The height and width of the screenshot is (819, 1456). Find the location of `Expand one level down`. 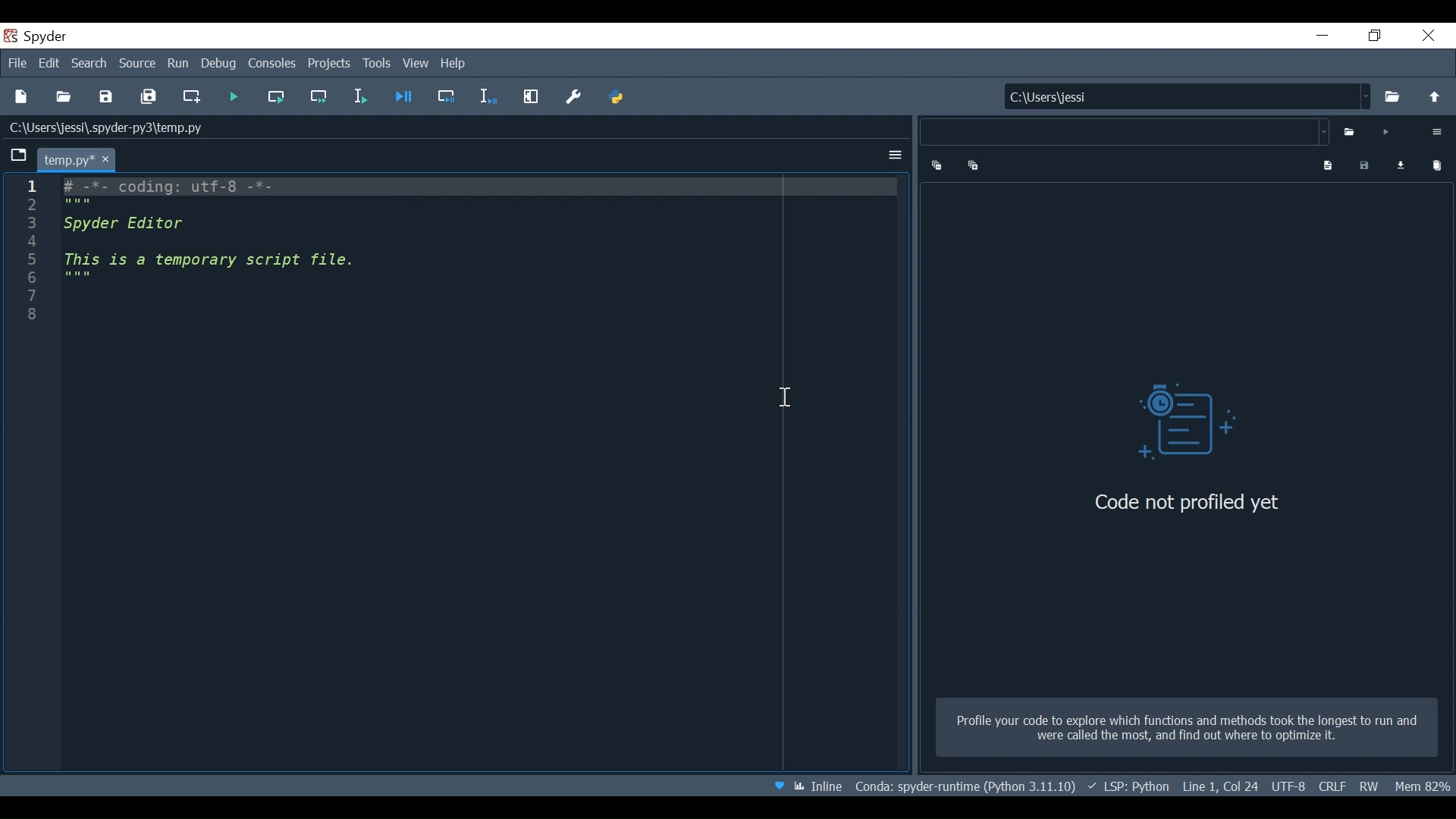

Expand one level down is located at coordinates (971, 165).